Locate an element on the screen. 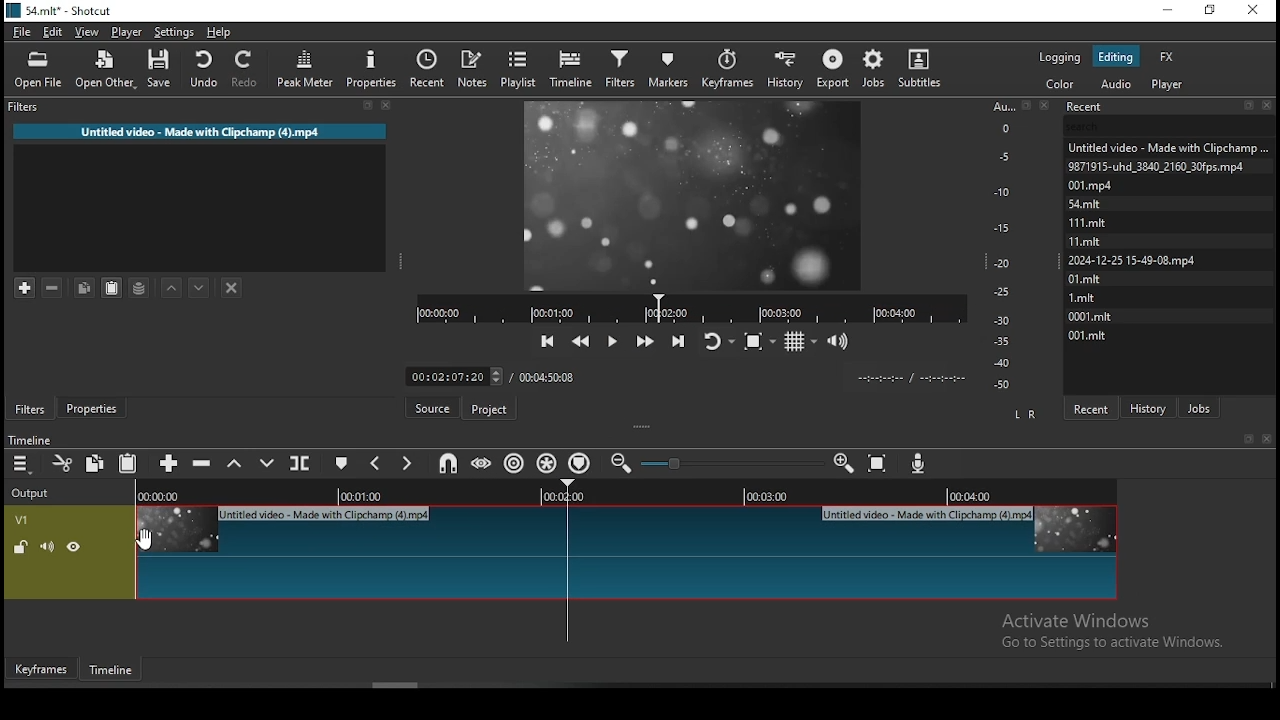 The height and width of the screenshot is (720, 1280). timeline is located at coordinates (27, 439).